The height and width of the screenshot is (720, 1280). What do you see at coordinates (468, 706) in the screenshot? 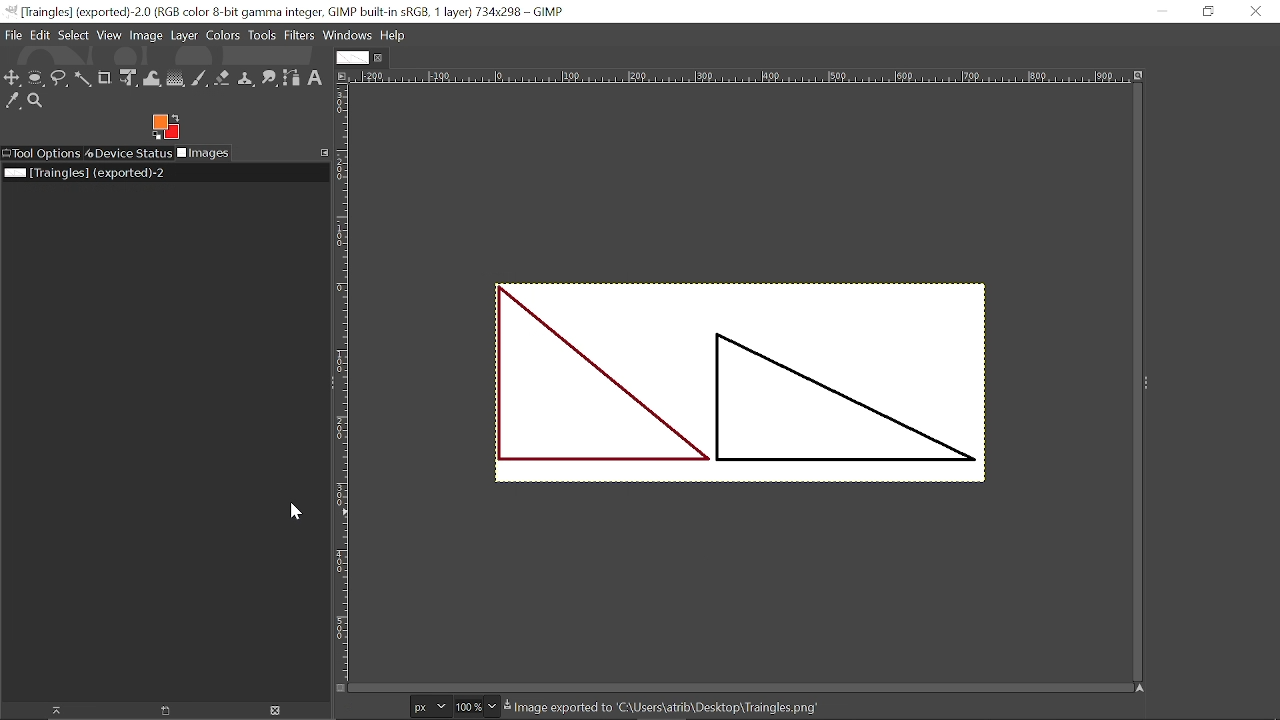
I see `Current zoom` at bounding box center [468, 706].